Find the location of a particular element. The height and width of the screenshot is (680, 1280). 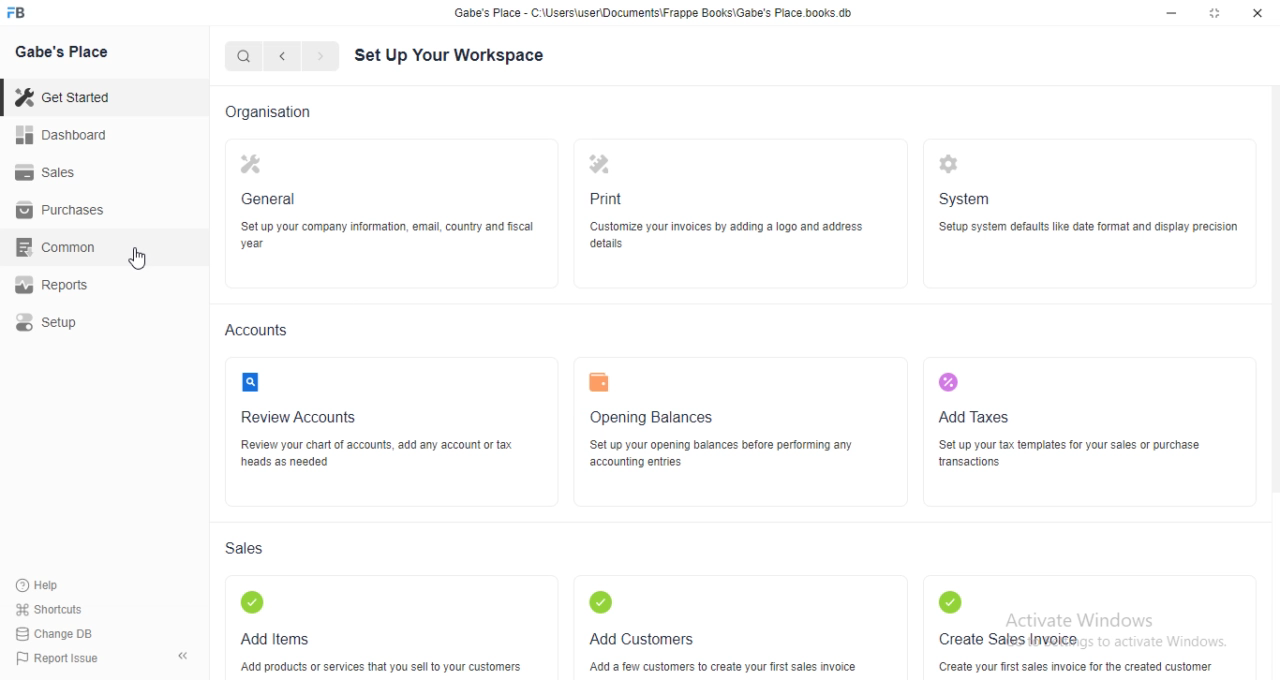

' Shortcuts is located at coordinates (50, 608).